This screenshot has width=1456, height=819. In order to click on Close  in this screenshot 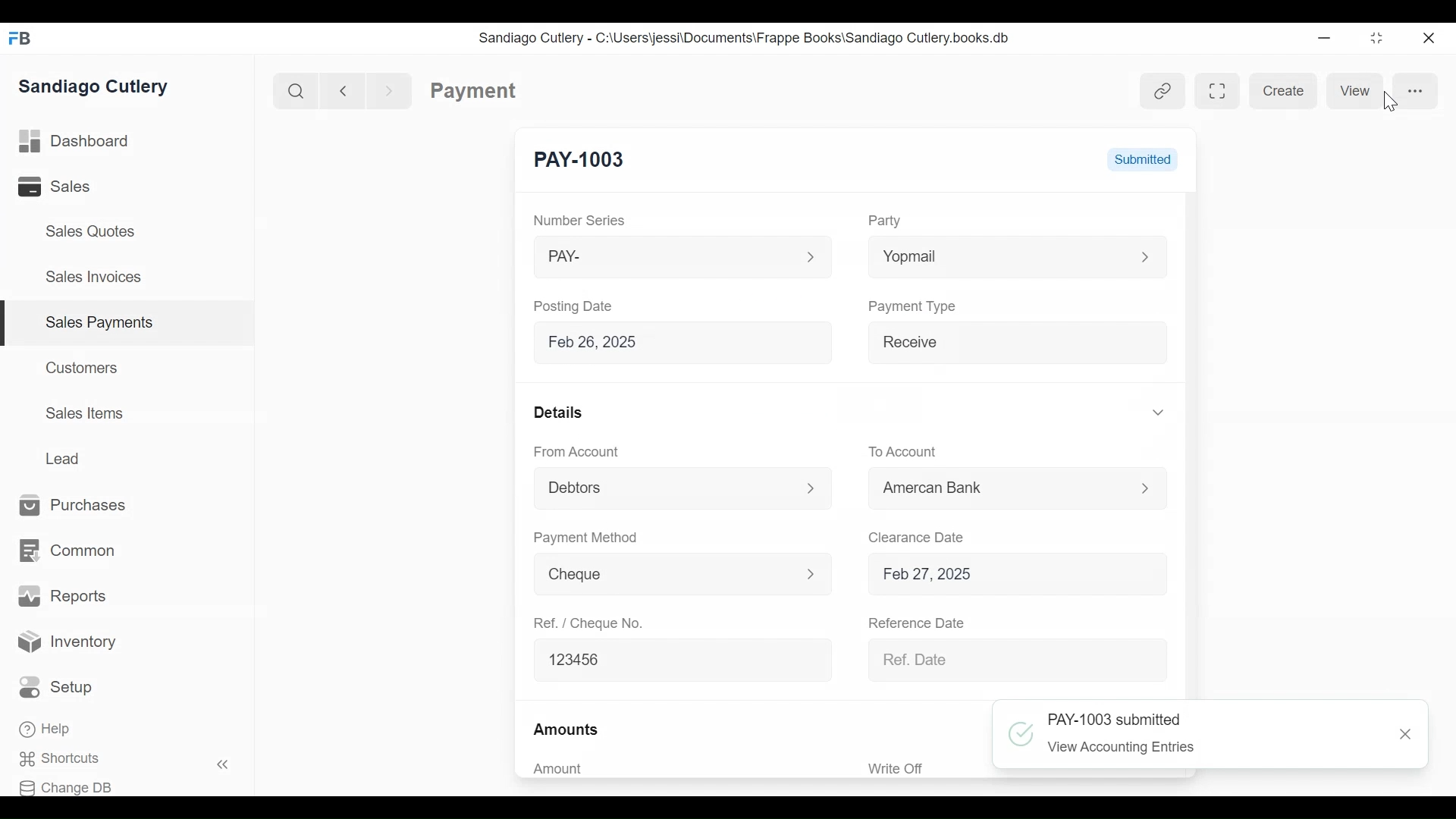, I will do `click(1430, 38)`.